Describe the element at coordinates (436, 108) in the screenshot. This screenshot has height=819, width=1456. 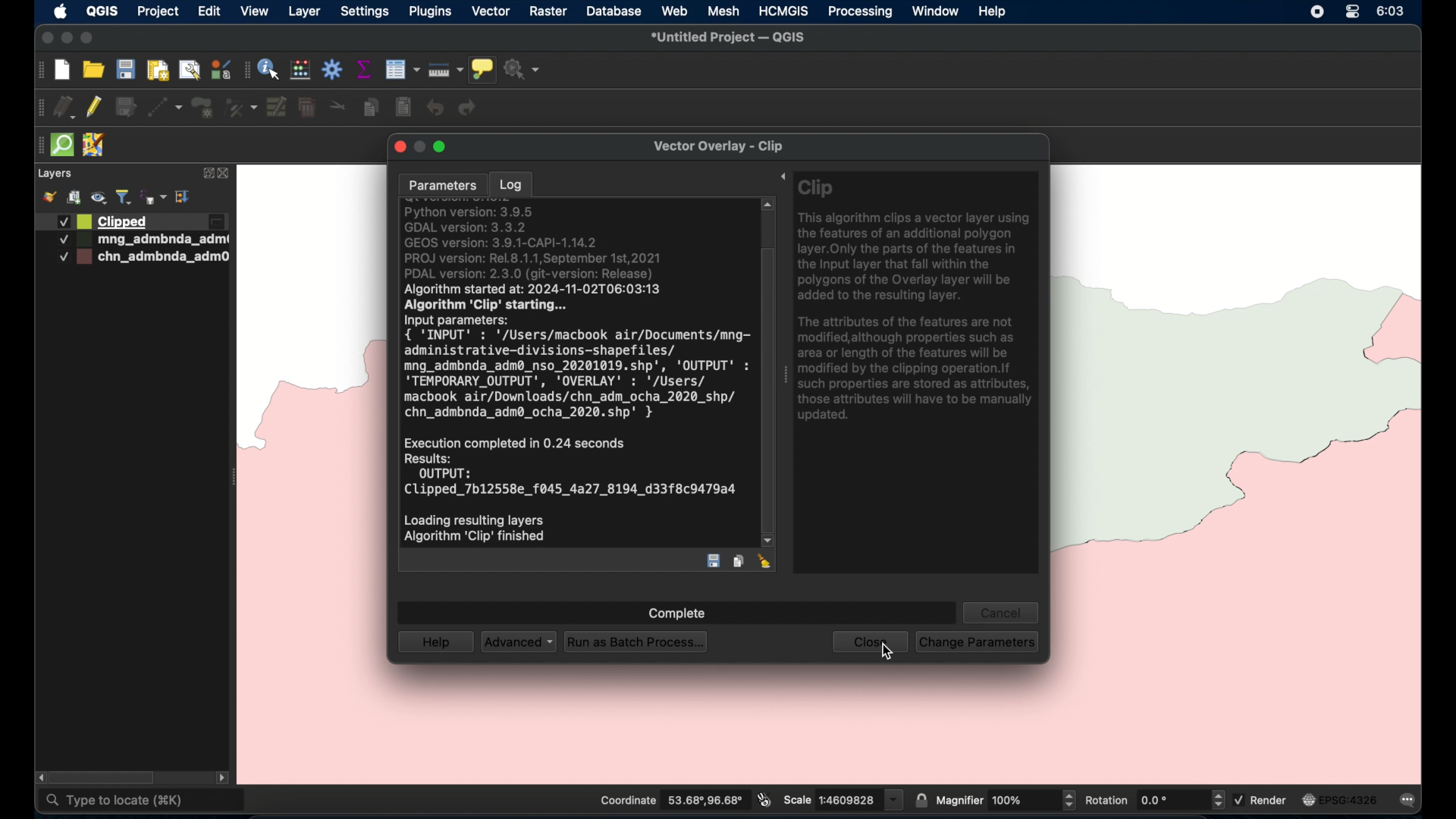
I see `undo` at that location.